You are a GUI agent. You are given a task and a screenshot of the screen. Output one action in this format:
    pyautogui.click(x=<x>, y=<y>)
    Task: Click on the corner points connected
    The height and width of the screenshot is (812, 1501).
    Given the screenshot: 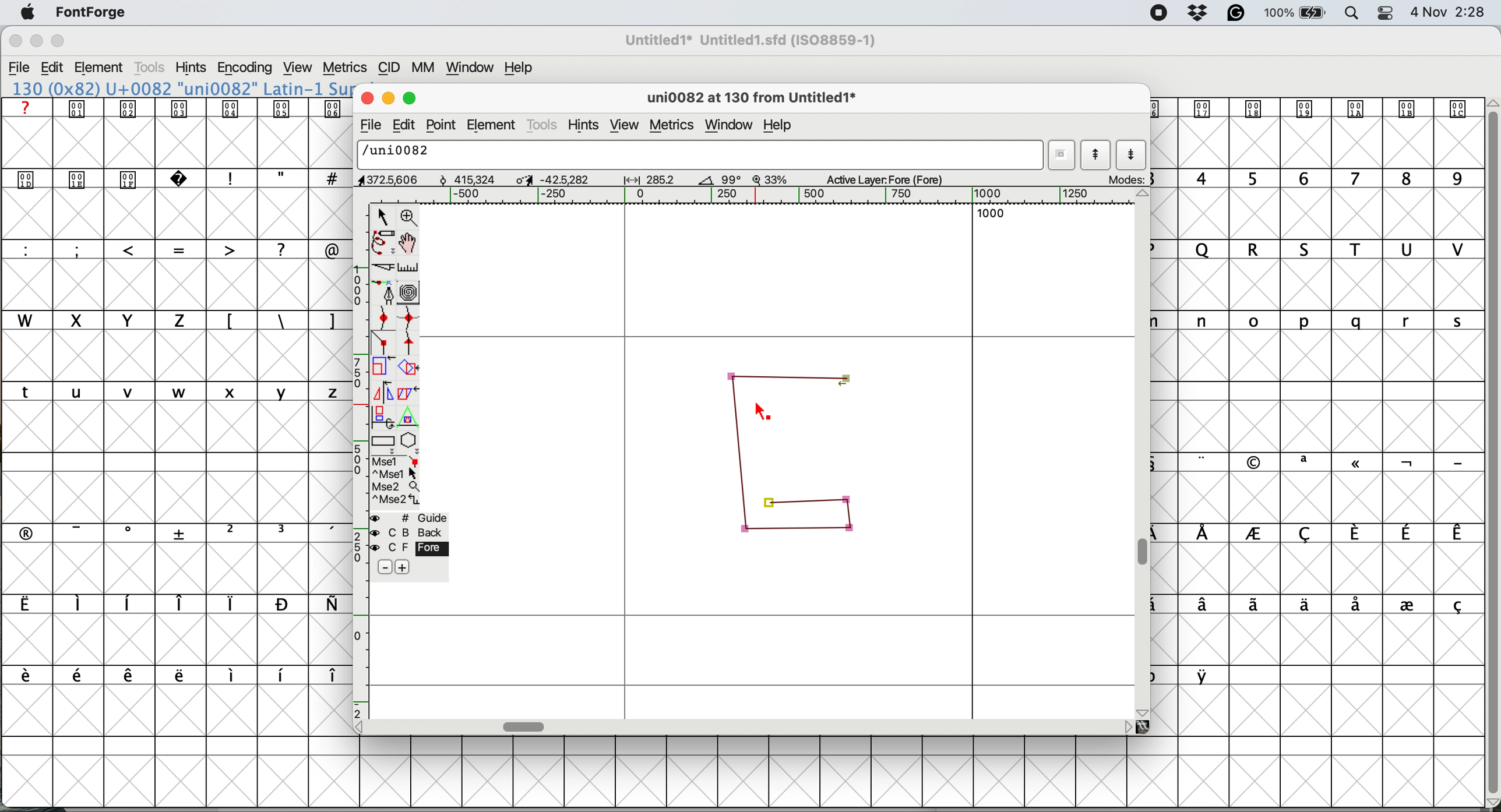 What is the action you would take?
    pyautogui.click(x=741, y=454)
    